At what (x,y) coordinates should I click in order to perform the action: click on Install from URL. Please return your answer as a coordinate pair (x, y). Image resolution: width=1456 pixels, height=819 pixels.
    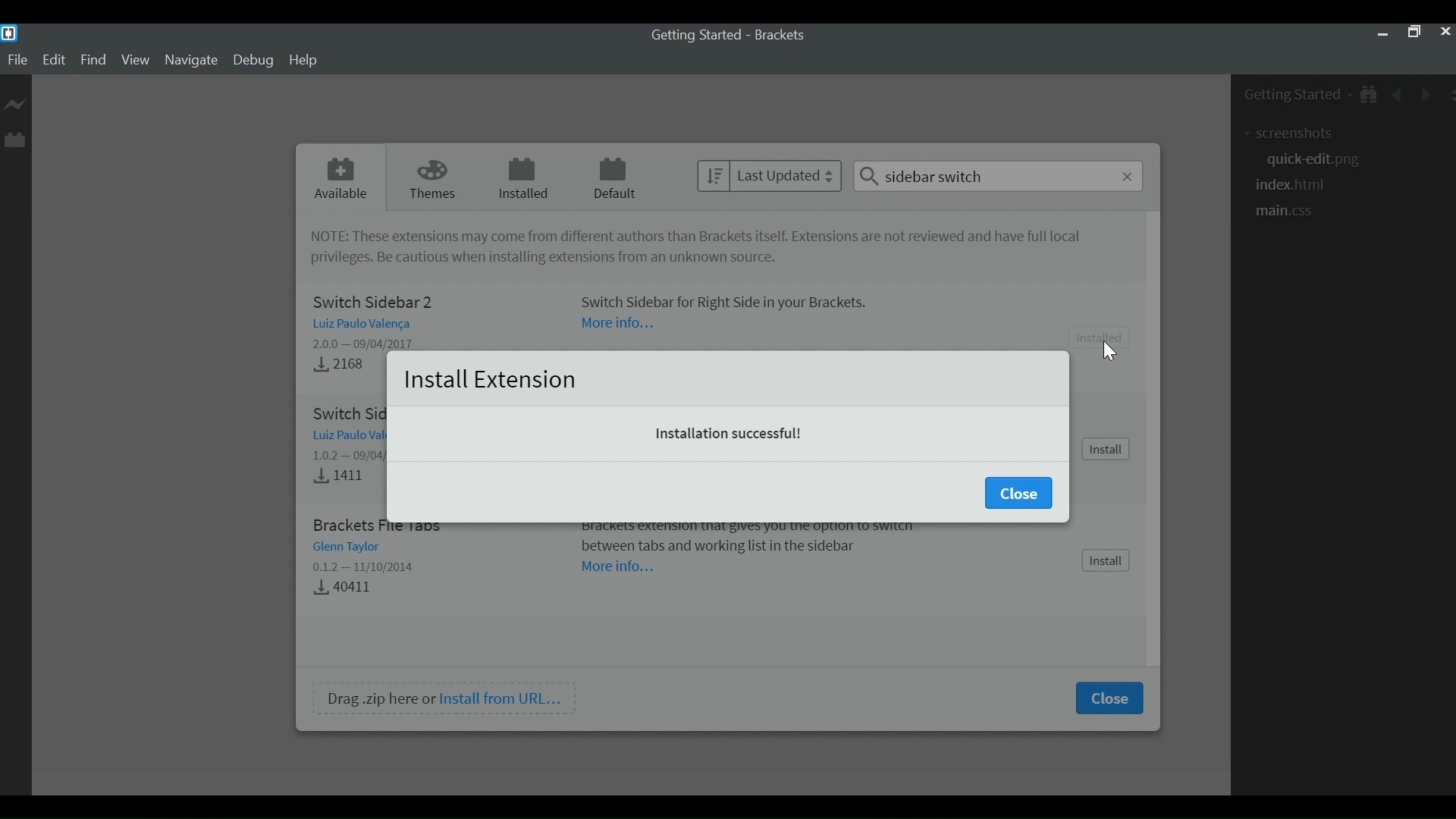
    Looking at the image, I should click on (503, 698).